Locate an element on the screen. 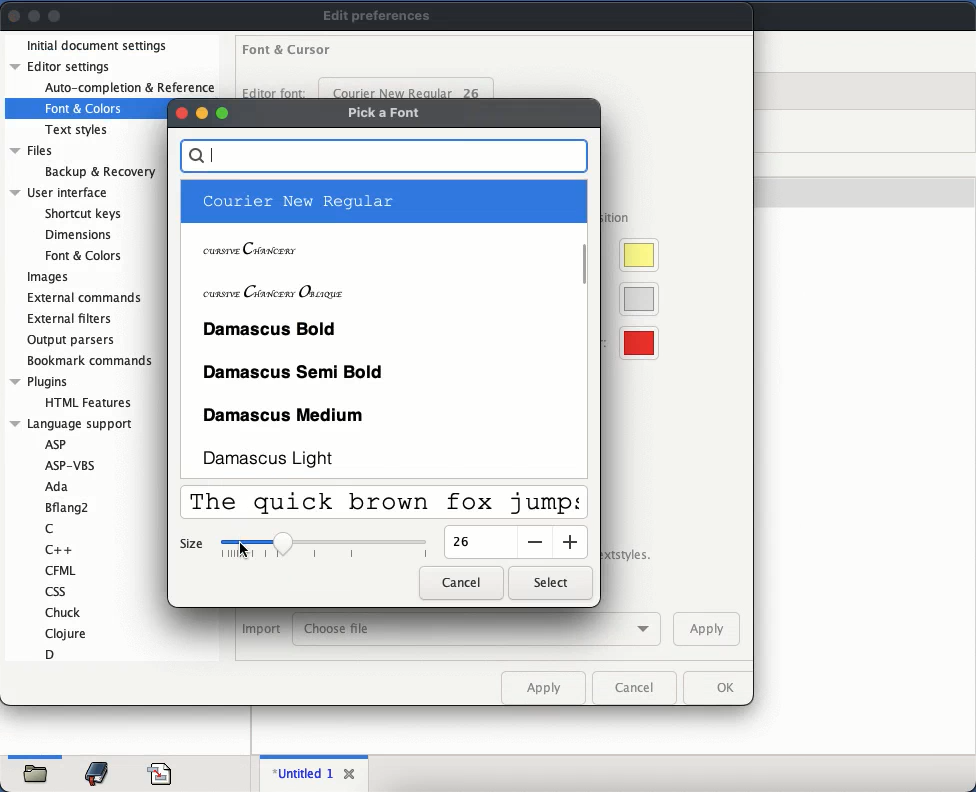 The image size is (976, 792). code is located at coordinates (160, 771).